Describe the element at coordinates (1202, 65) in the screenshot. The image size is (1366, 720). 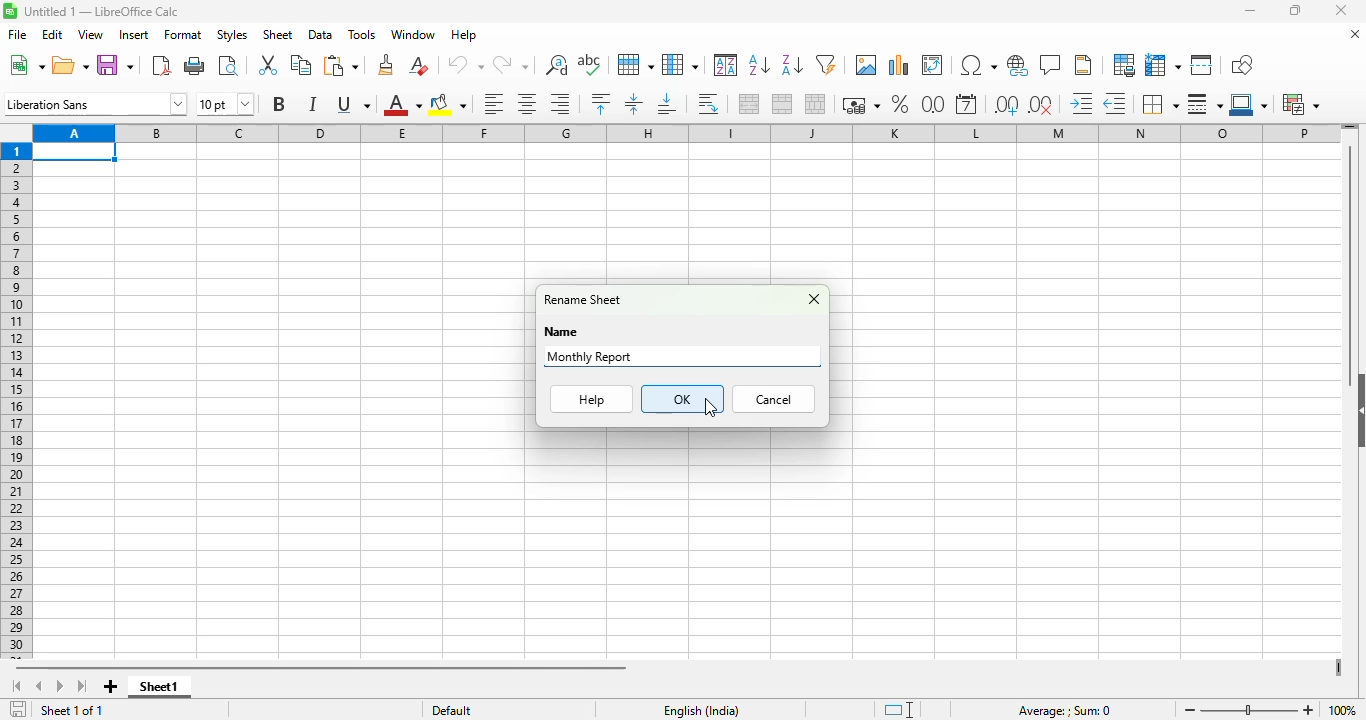
I see `split window` at that location.